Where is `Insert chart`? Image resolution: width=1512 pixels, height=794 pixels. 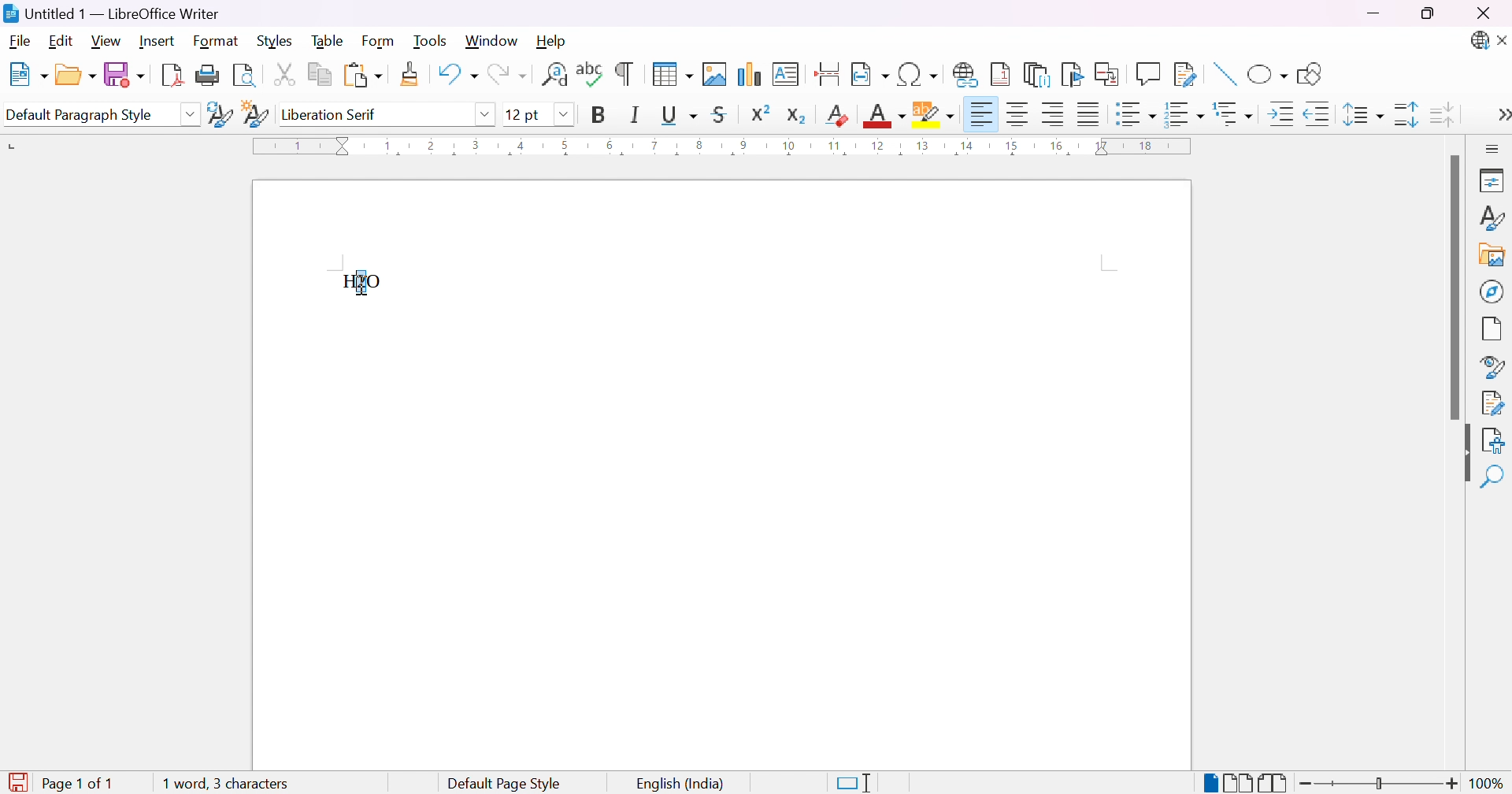 Insert chart is located at coordinates (751, 76).